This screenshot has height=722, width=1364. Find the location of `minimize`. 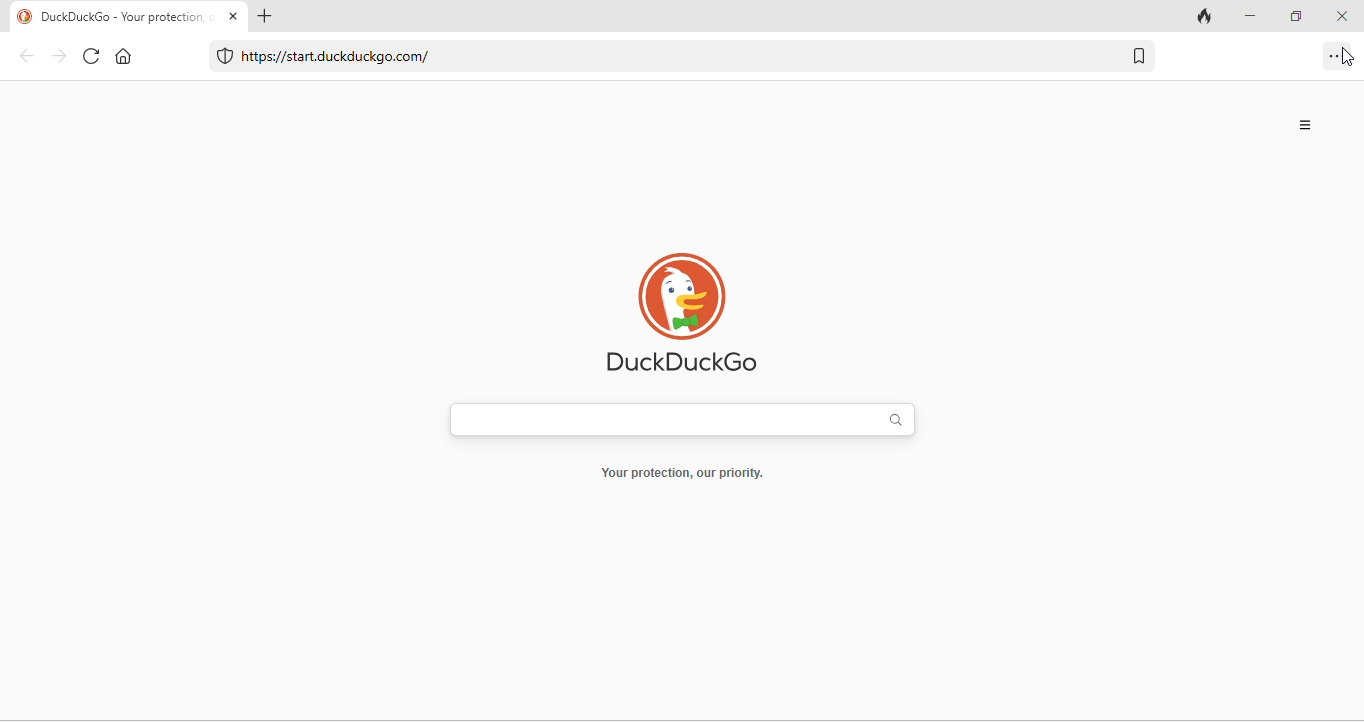

minimize is located at coordinates (1253, 17).